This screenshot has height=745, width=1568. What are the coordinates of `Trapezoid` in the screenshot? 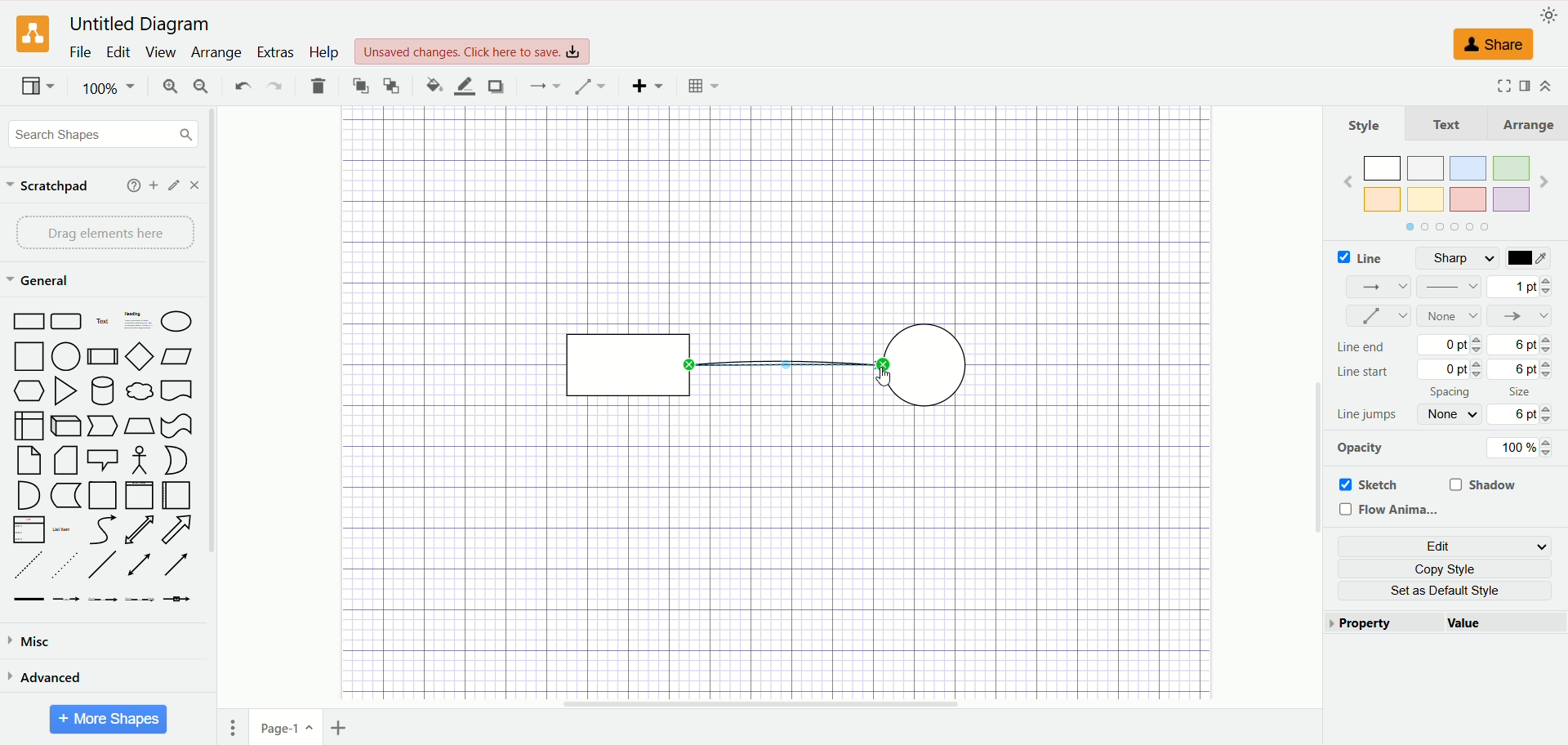 It's located at (140, 426).